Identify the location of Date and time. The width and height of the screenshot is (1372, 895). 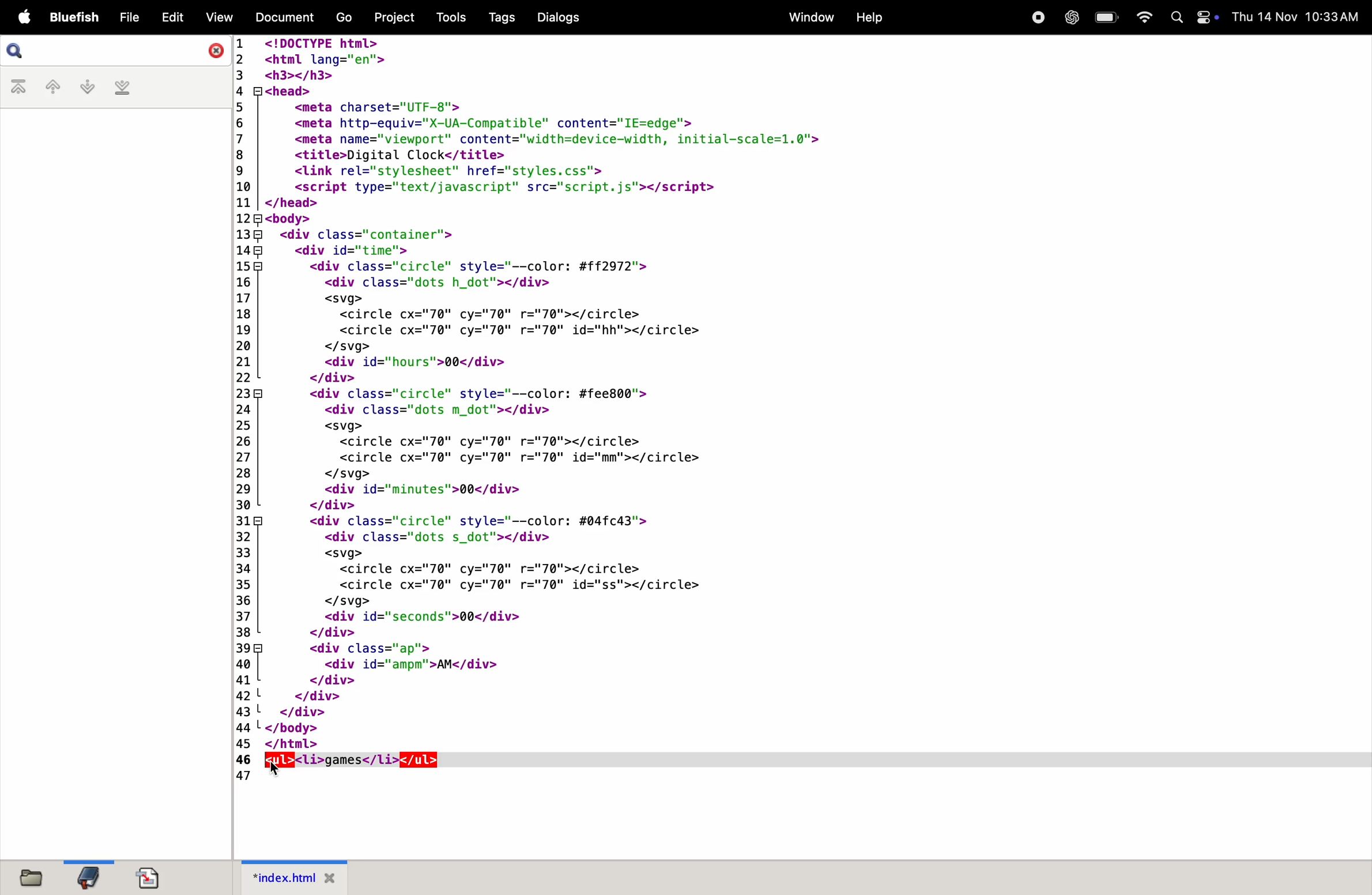
(1295, 14).